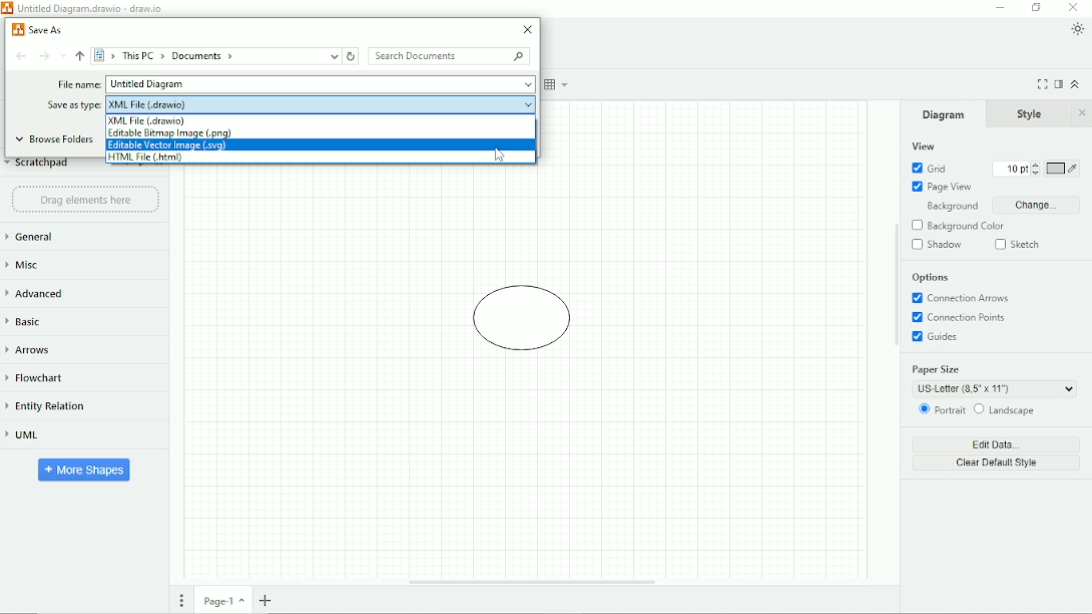  I want to click on Collapse/Expand, so click(1077, 84).